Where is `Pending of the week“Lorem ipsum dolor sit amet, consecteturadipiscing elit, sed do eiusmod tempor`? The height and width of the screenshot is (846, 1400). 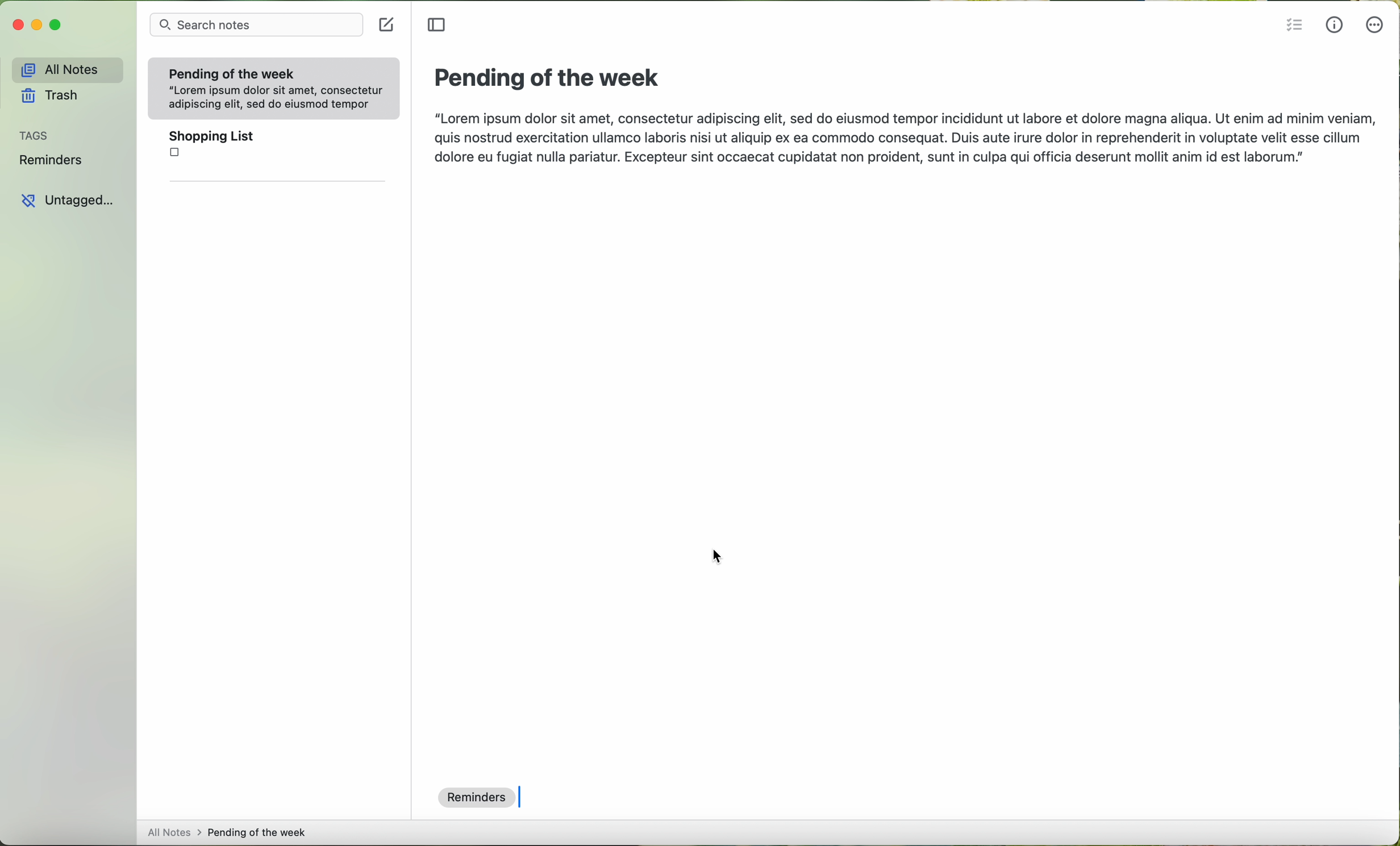
Pending of the week“Lorem ipsum dolor sit amet, consecteturadipiscing elit, sed do eiusmod tempor is located at coordinates (273, 86).